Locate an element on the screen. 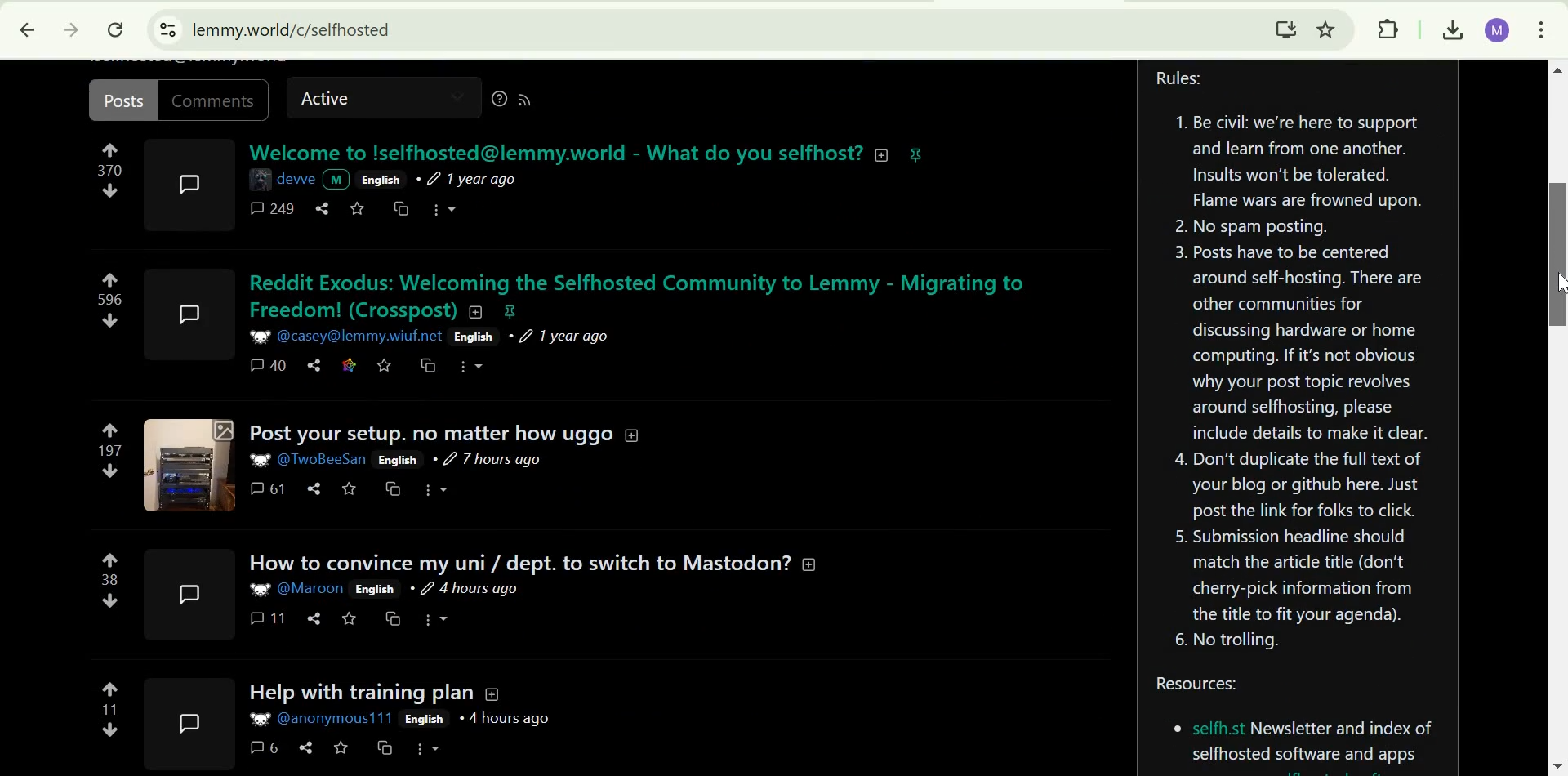 This screenshot has height=776, width=1568. expand here is located at coordinates (193, 308).